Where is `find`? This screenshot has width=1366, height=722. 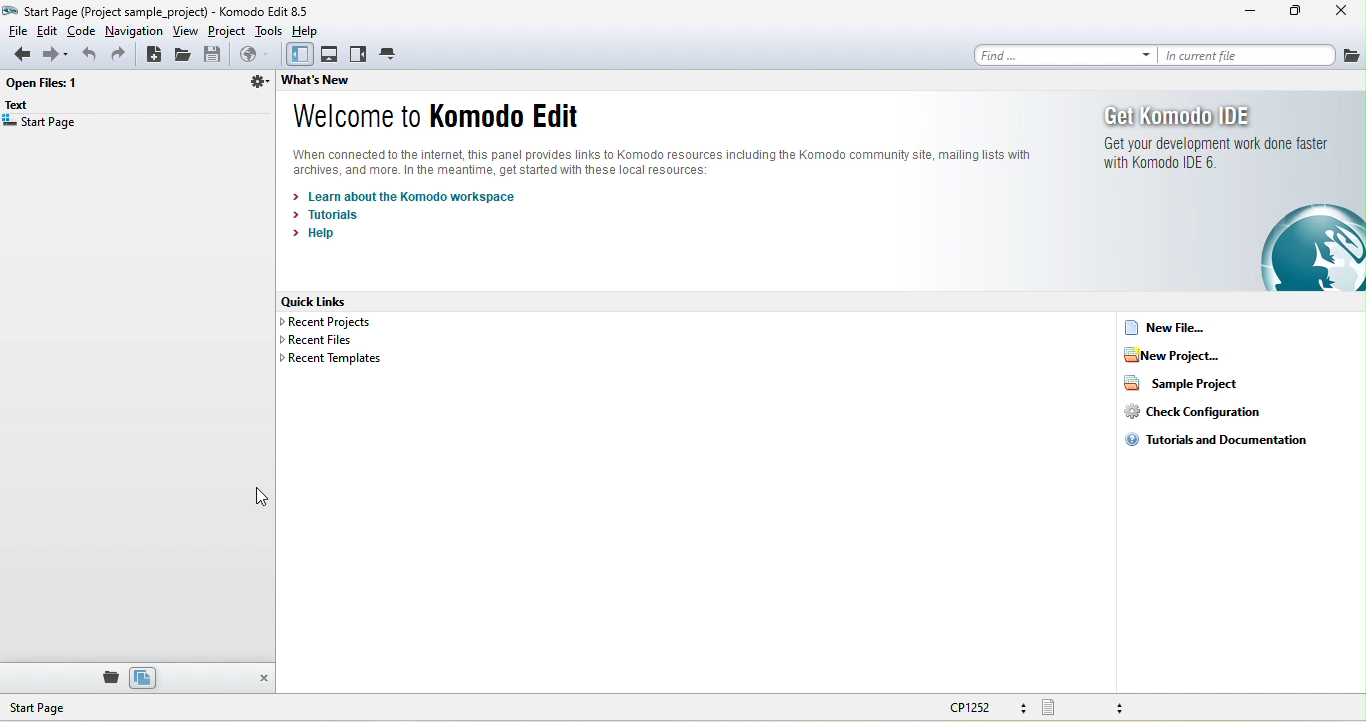
find is located at coordinates (1059, 54).